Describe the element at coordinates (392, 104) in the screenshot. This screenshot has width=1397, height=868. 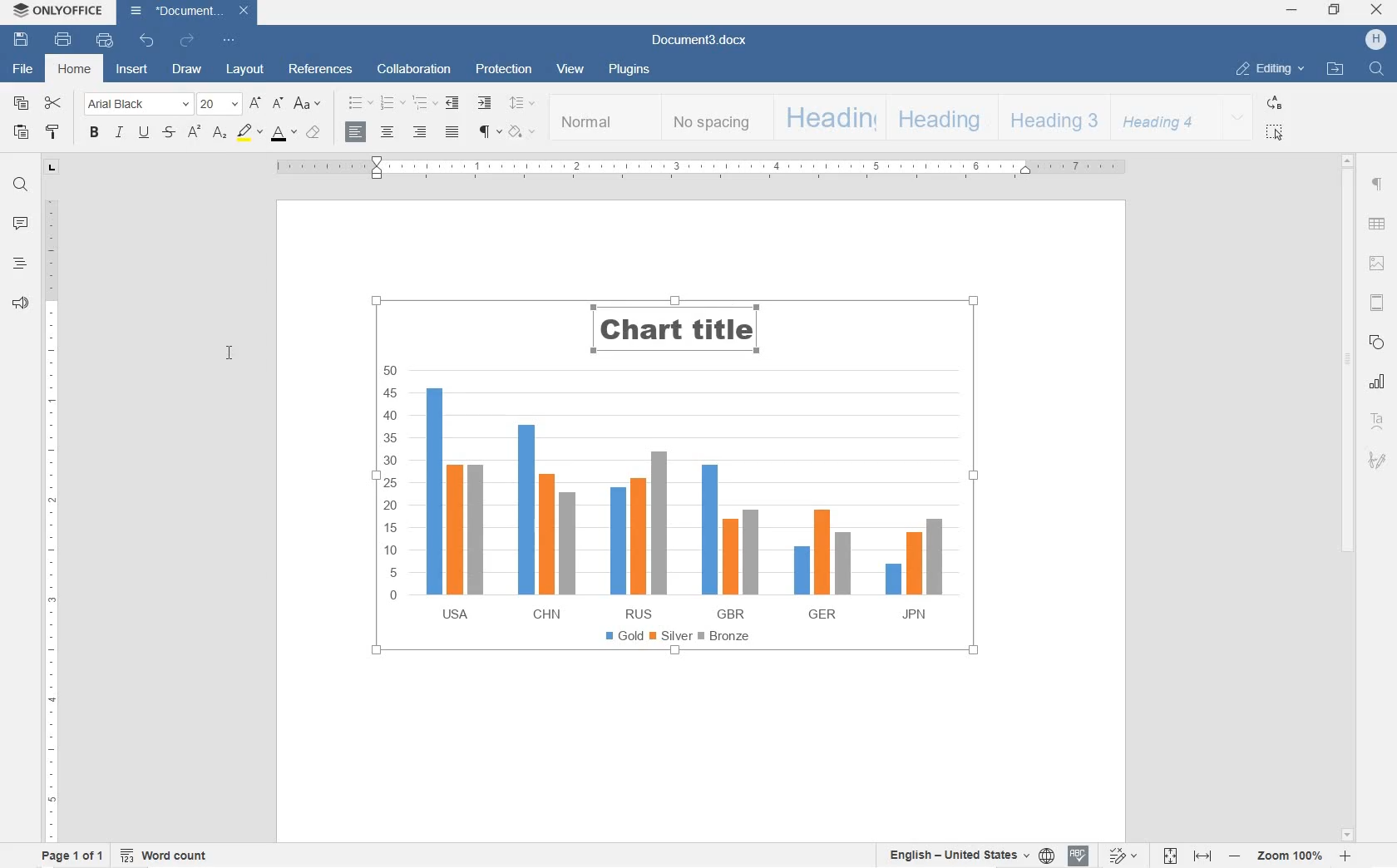
I see `NUMBERING` at that location.